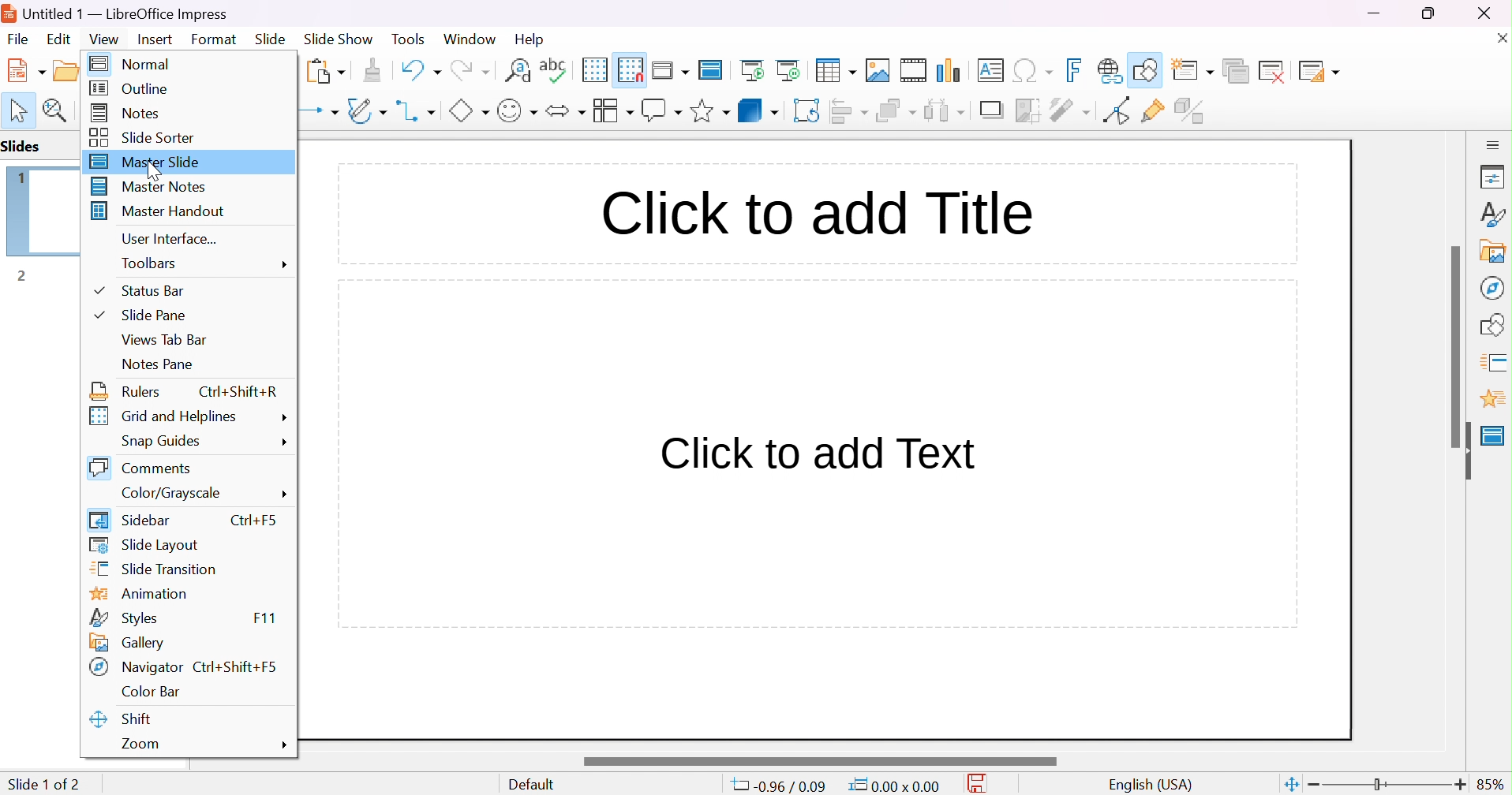  Describe the element at coordinates (1115, 110) in the screenshot. I see `toggle point edit mode` at that location.